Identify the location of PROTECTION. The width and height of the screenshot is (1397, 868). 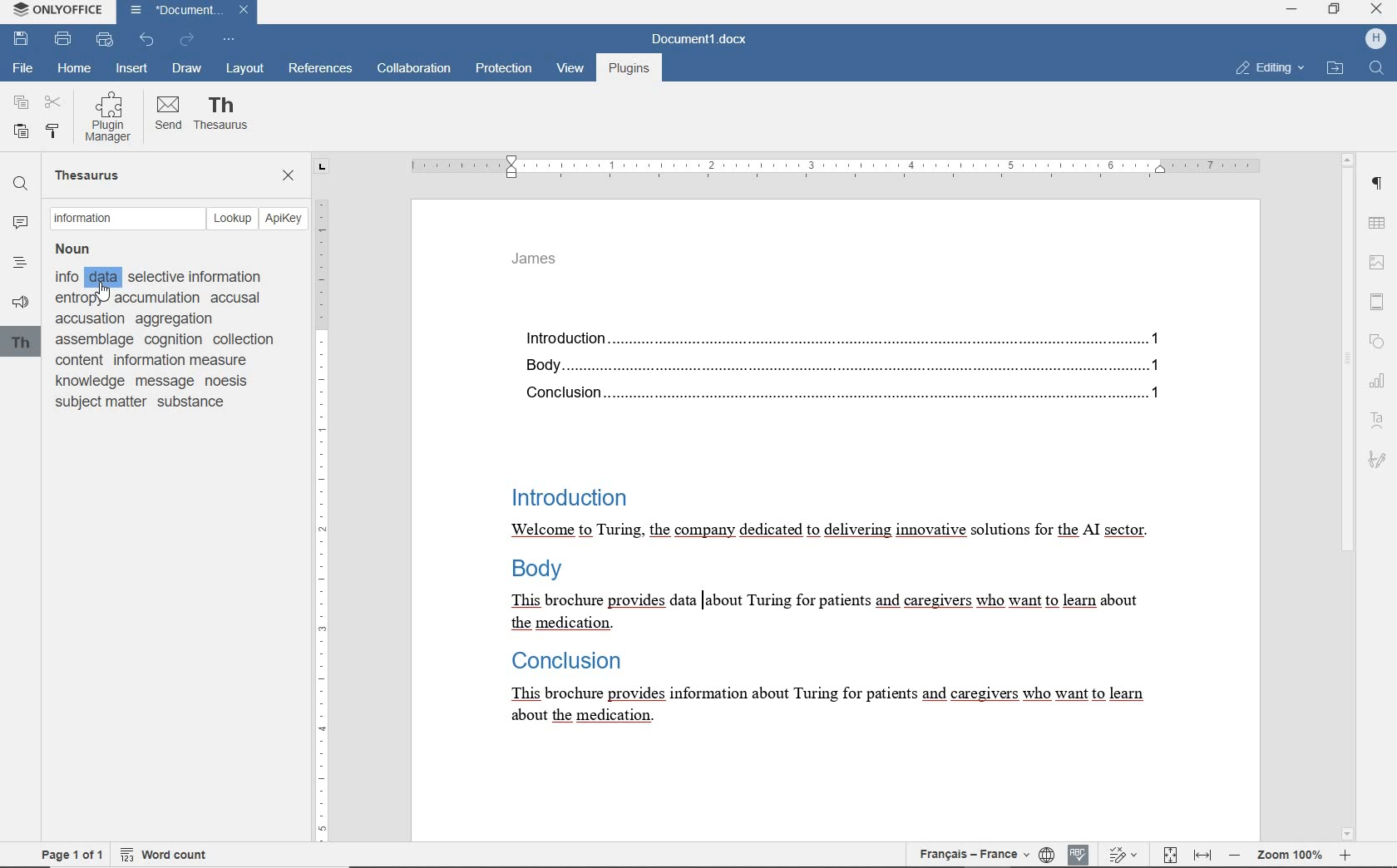
(503, 70).